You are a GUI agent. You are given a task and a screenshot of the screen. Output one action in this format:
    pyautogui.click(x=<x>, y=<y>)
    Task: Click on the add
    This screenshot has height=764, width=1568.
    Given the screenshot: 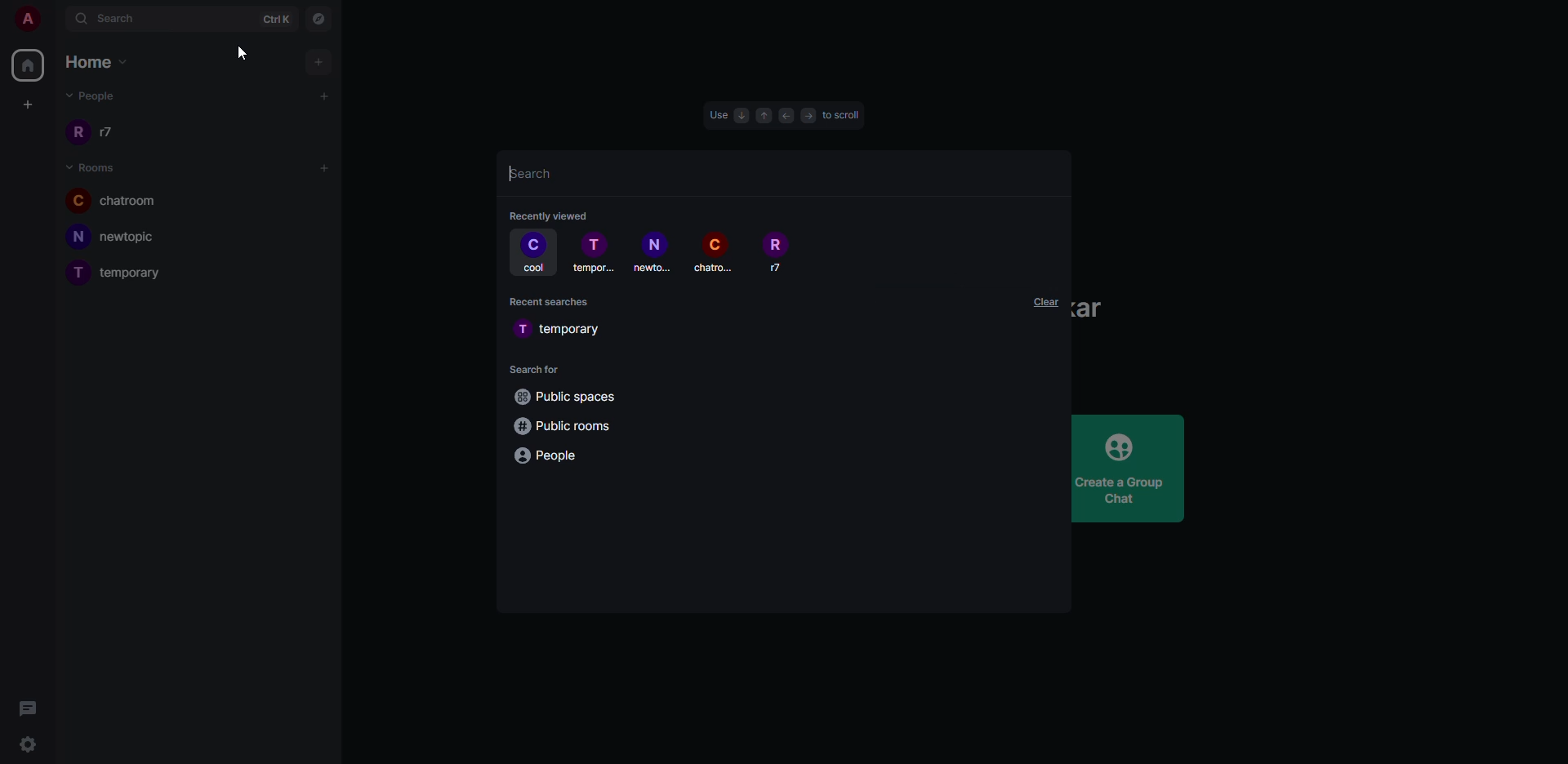 What is the action you would take?
    pyautogui.click(x=321, y=61)
    